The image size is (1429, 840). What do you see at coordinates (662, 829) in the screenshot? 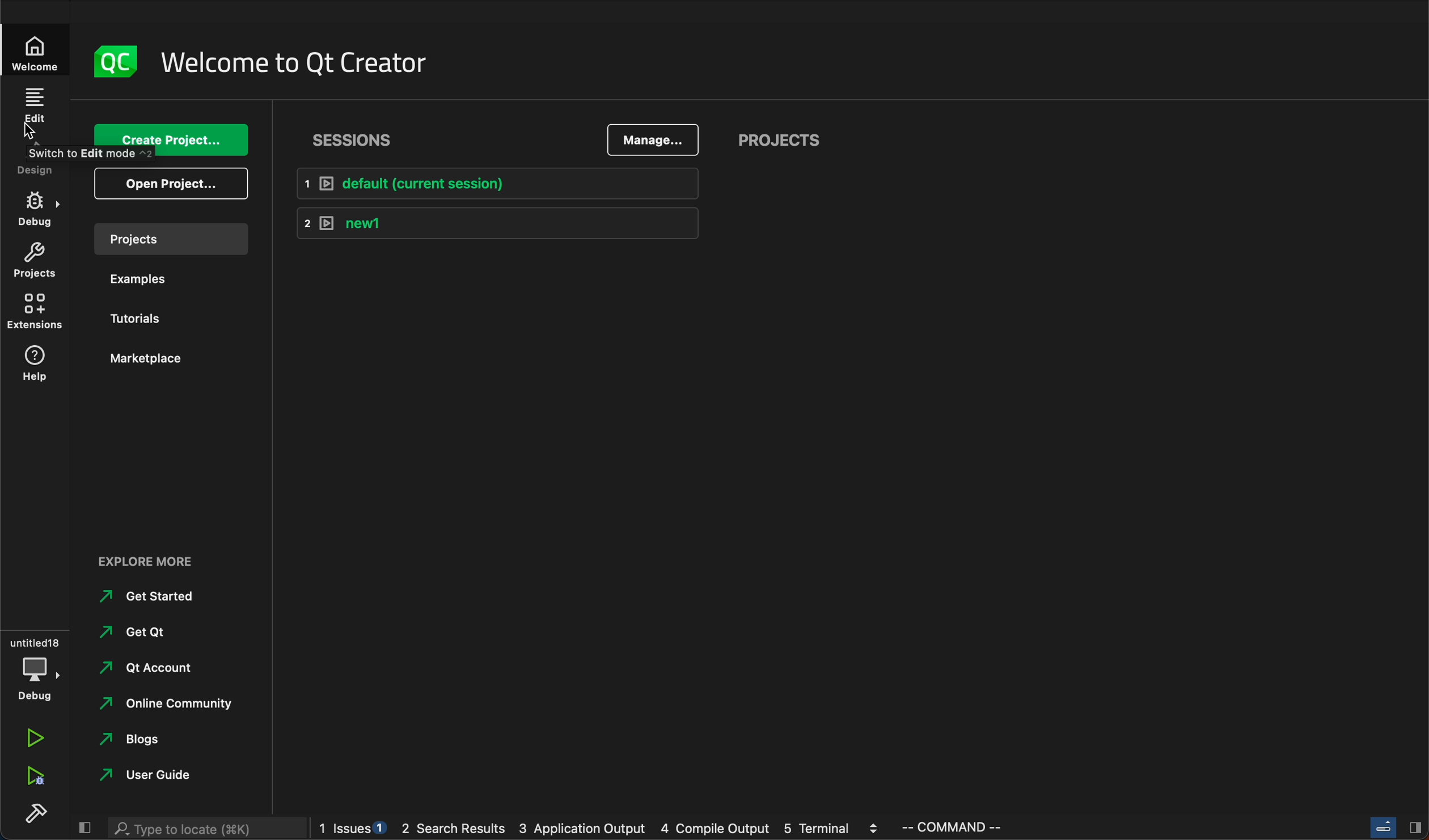
I see `logs` at bounding box center [662, 829].